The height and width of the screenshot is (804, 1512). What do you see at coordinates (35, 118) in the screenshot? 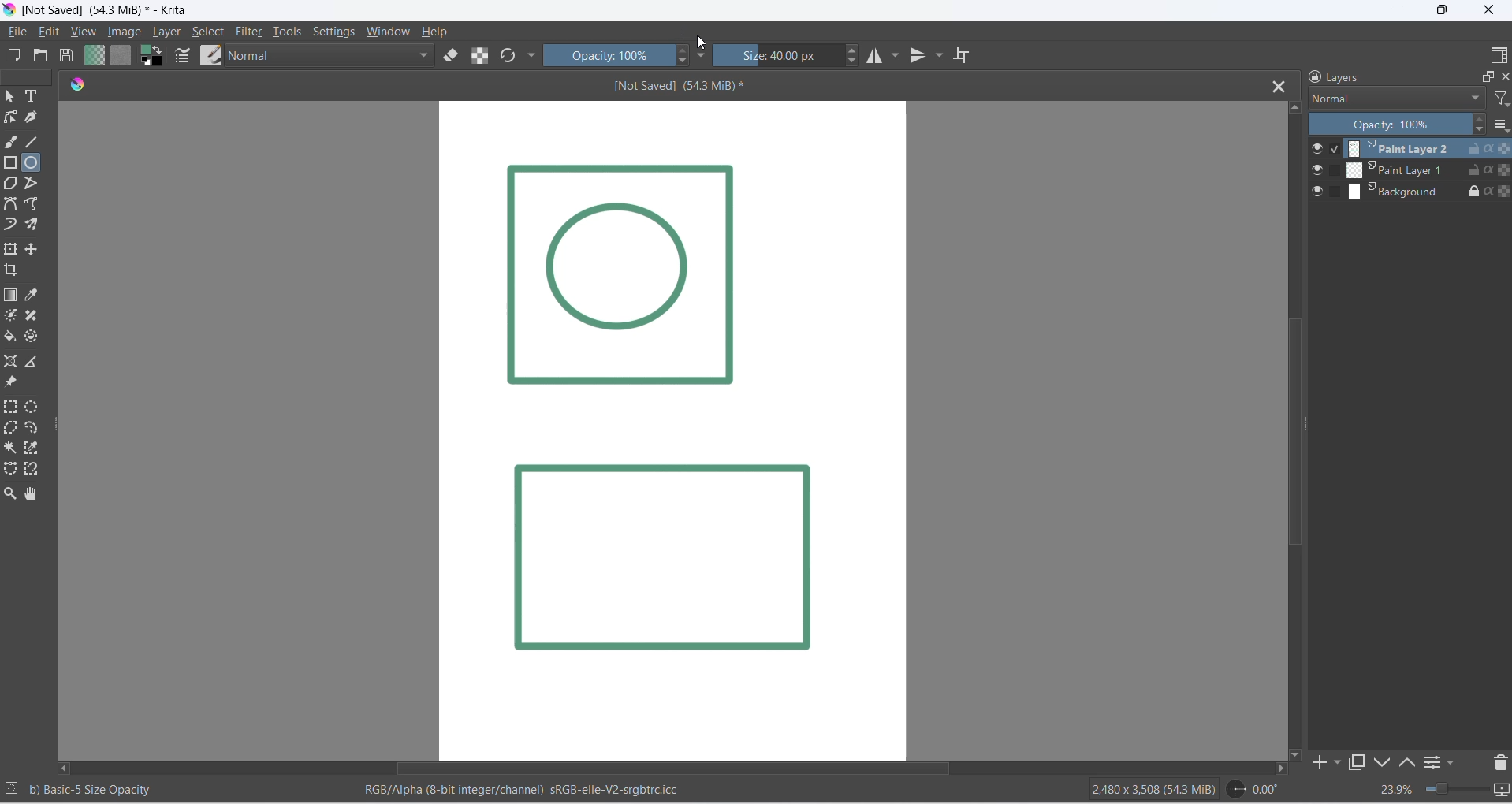
I see `calligraphy tool` at bounding box center [35, 118].